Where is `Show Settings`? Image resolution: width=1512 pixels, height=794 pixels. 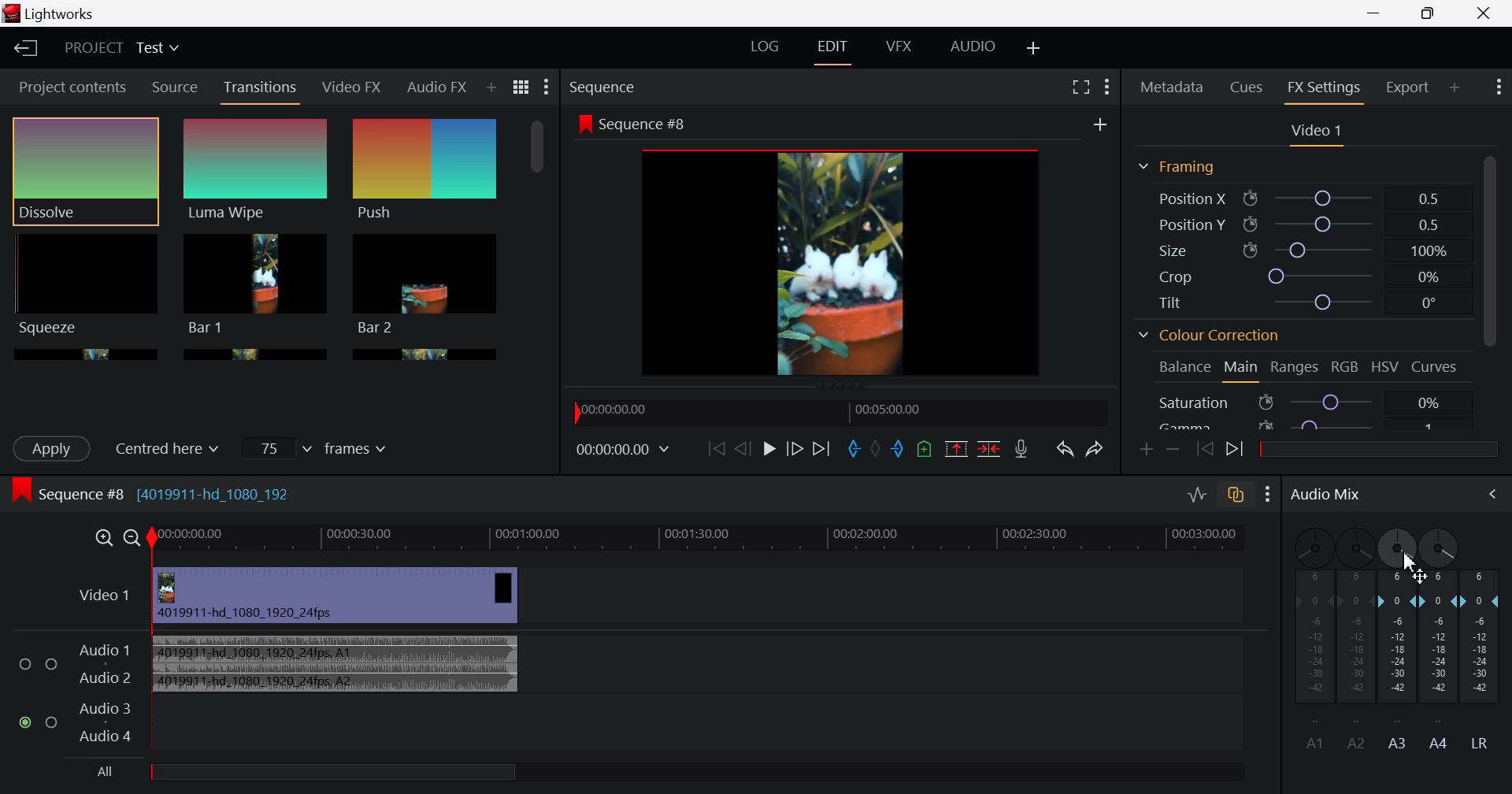 Show Settings is located at coordinates (547, 87).